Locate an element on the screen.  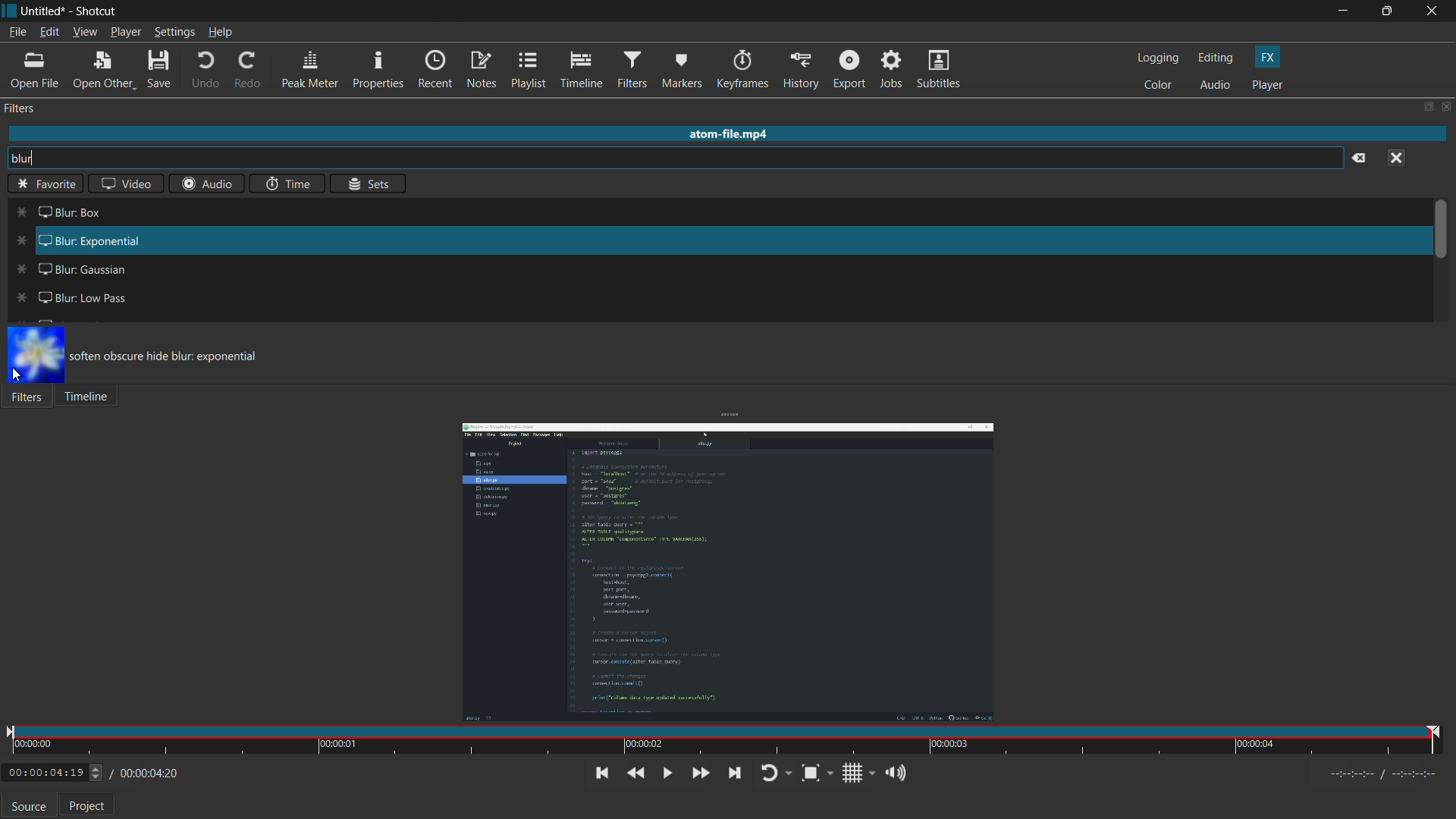
atom-file.mp4 (file name) is located at coordinates (729, 132).